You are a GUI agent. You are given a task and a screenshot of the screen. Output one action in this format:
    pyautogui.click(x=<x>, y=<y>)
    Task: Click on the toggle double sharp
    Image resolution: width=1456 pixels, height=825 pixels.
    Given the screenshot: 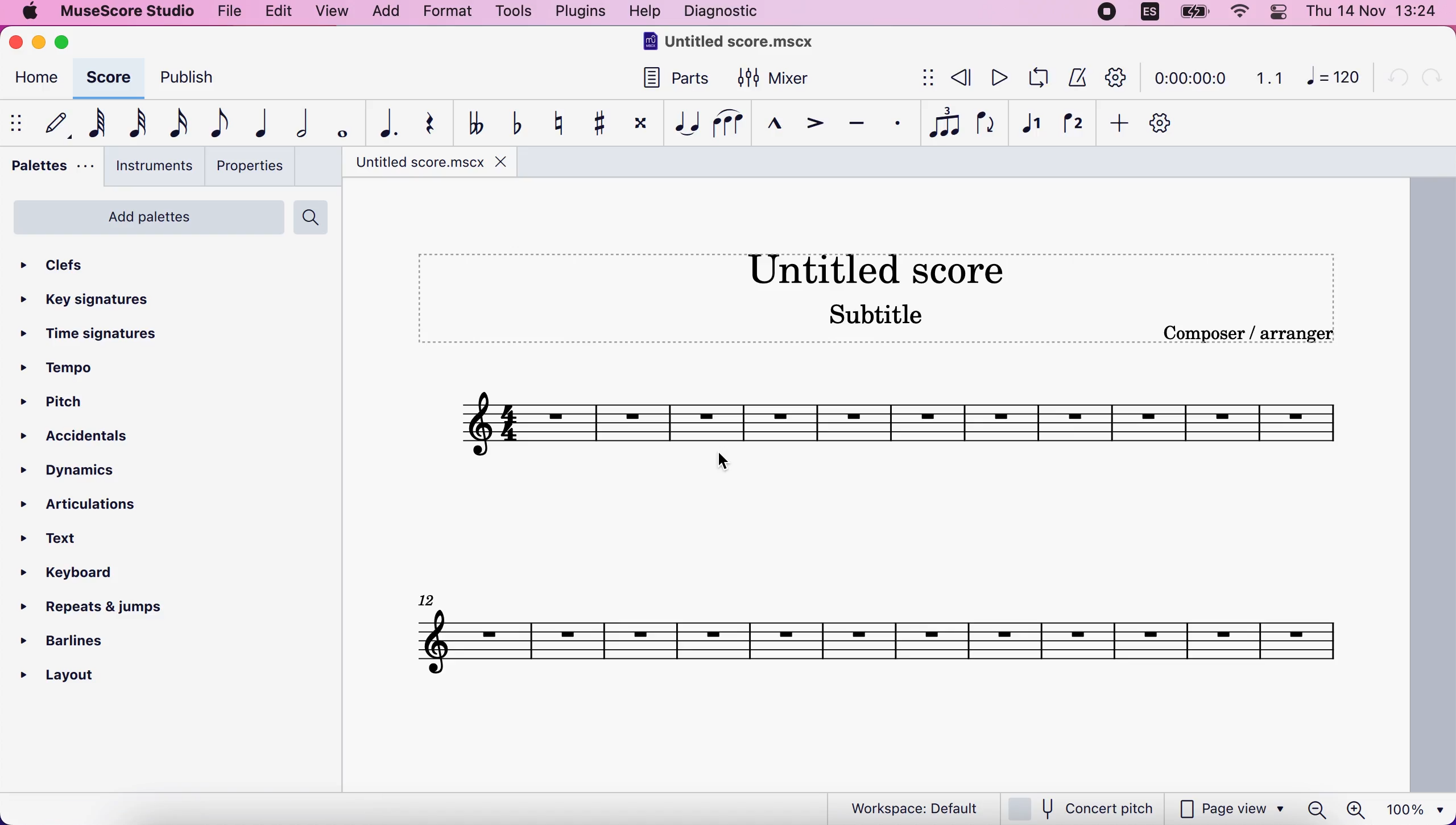 What is the action you would take?
    pyautogui.click(x=637, y=126)
    